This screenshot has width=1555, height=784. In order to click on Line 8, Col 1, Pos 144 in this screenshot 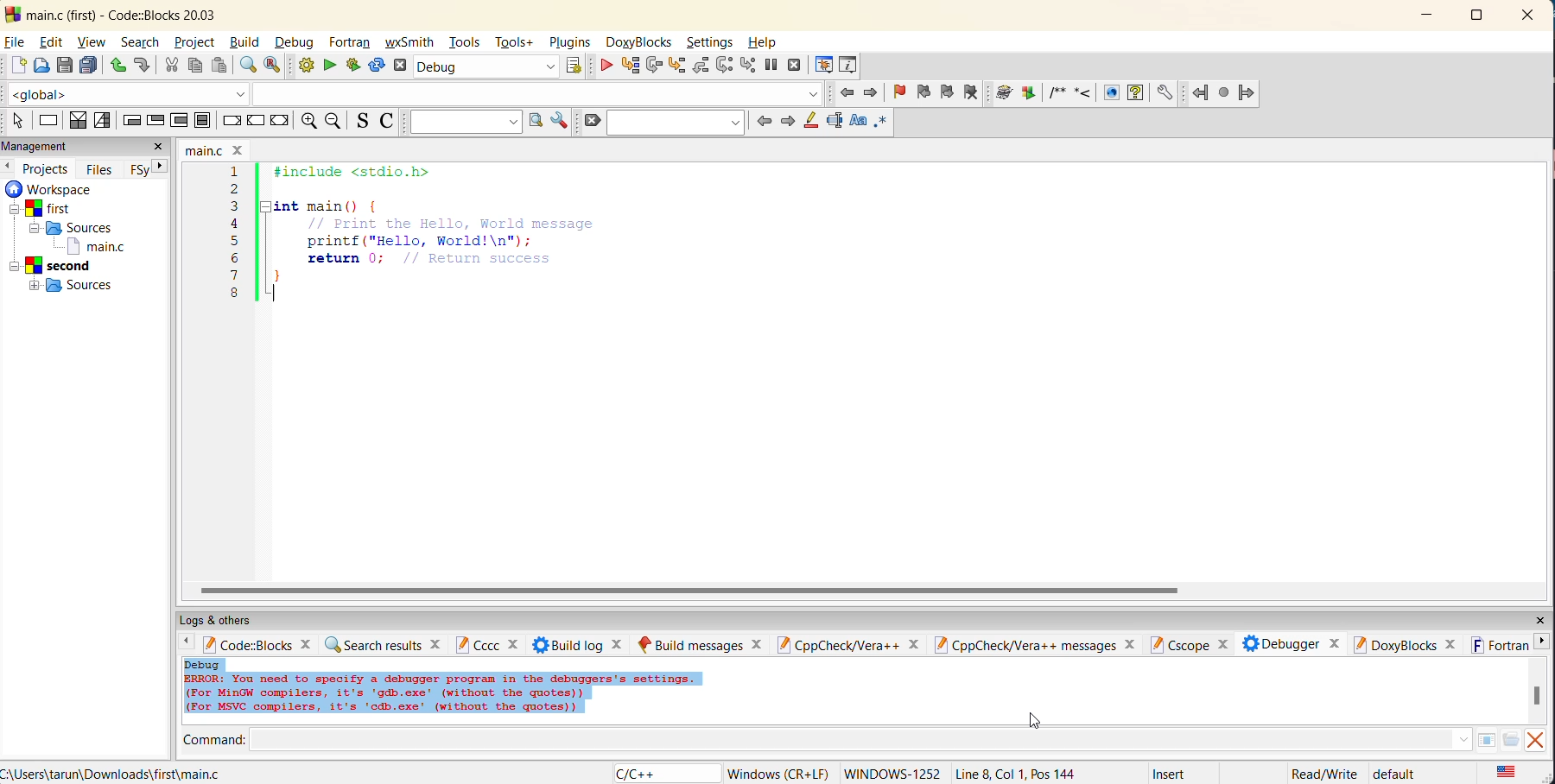, I will do `click(1016, 773)`.